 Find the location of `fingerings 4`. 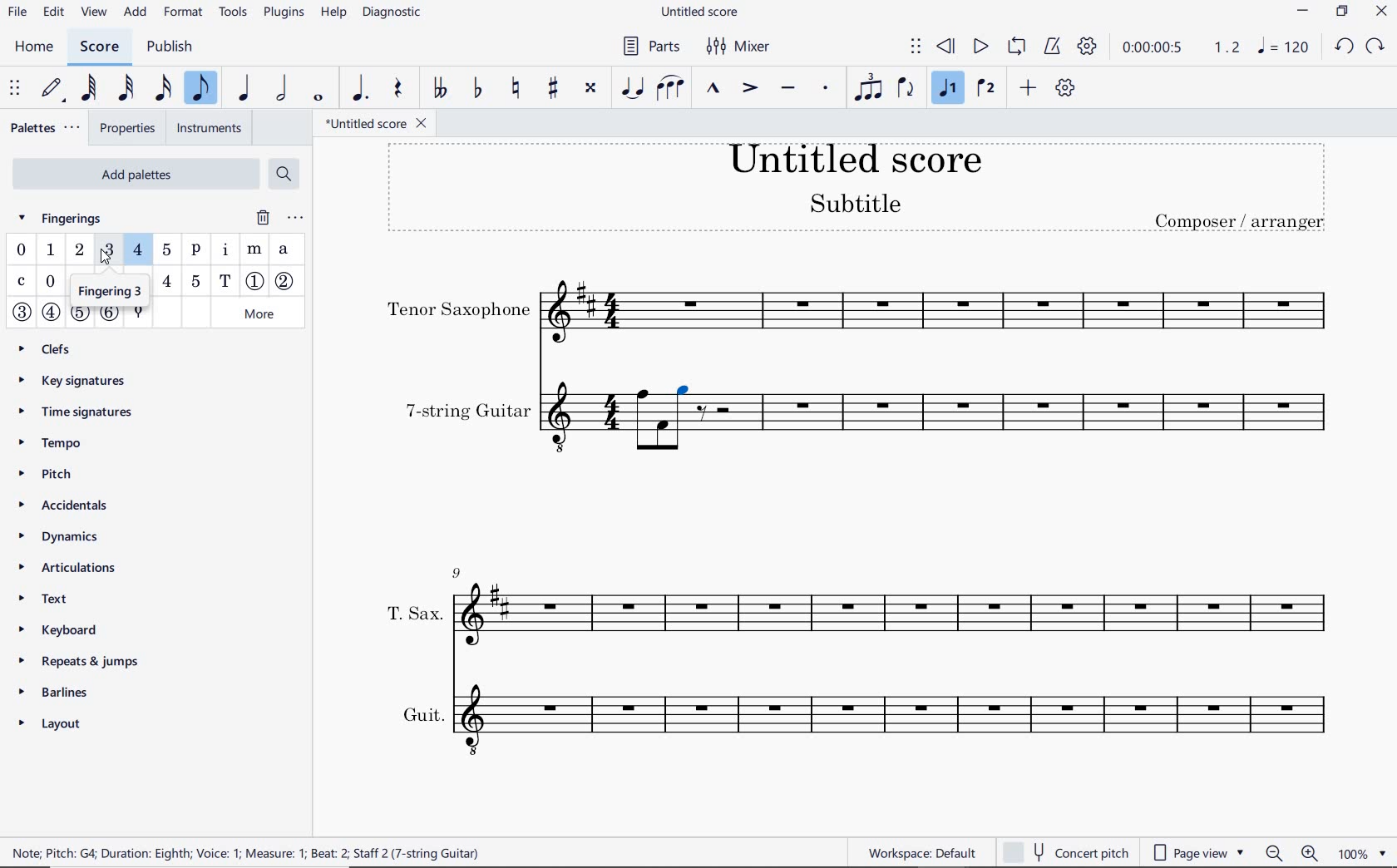

fingerings 4 is located at coordinates (138, 249).